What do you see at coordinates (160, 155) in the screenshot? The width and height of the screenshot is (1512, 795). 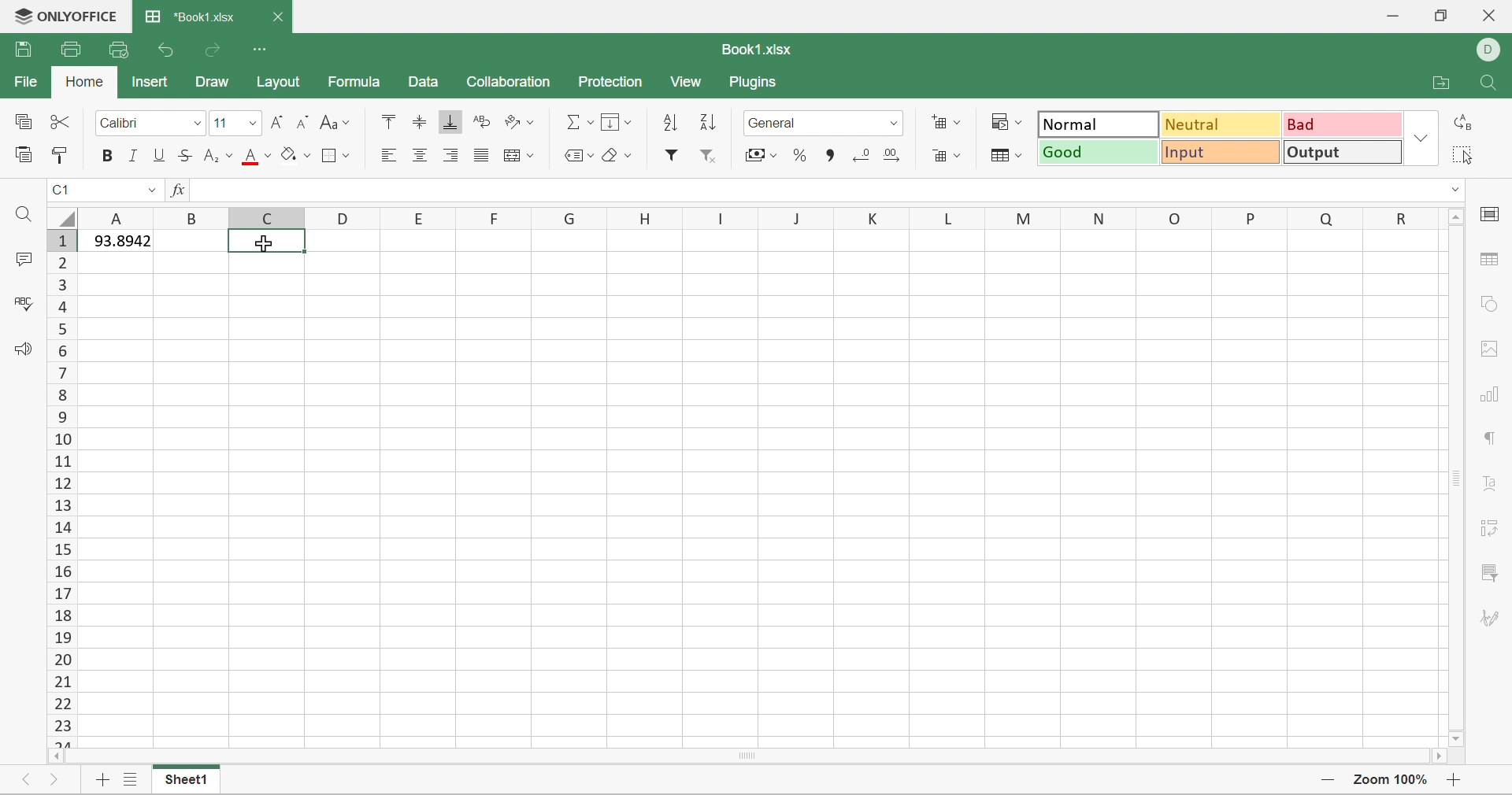 I see `Underline` at bounding box center [160, 155].